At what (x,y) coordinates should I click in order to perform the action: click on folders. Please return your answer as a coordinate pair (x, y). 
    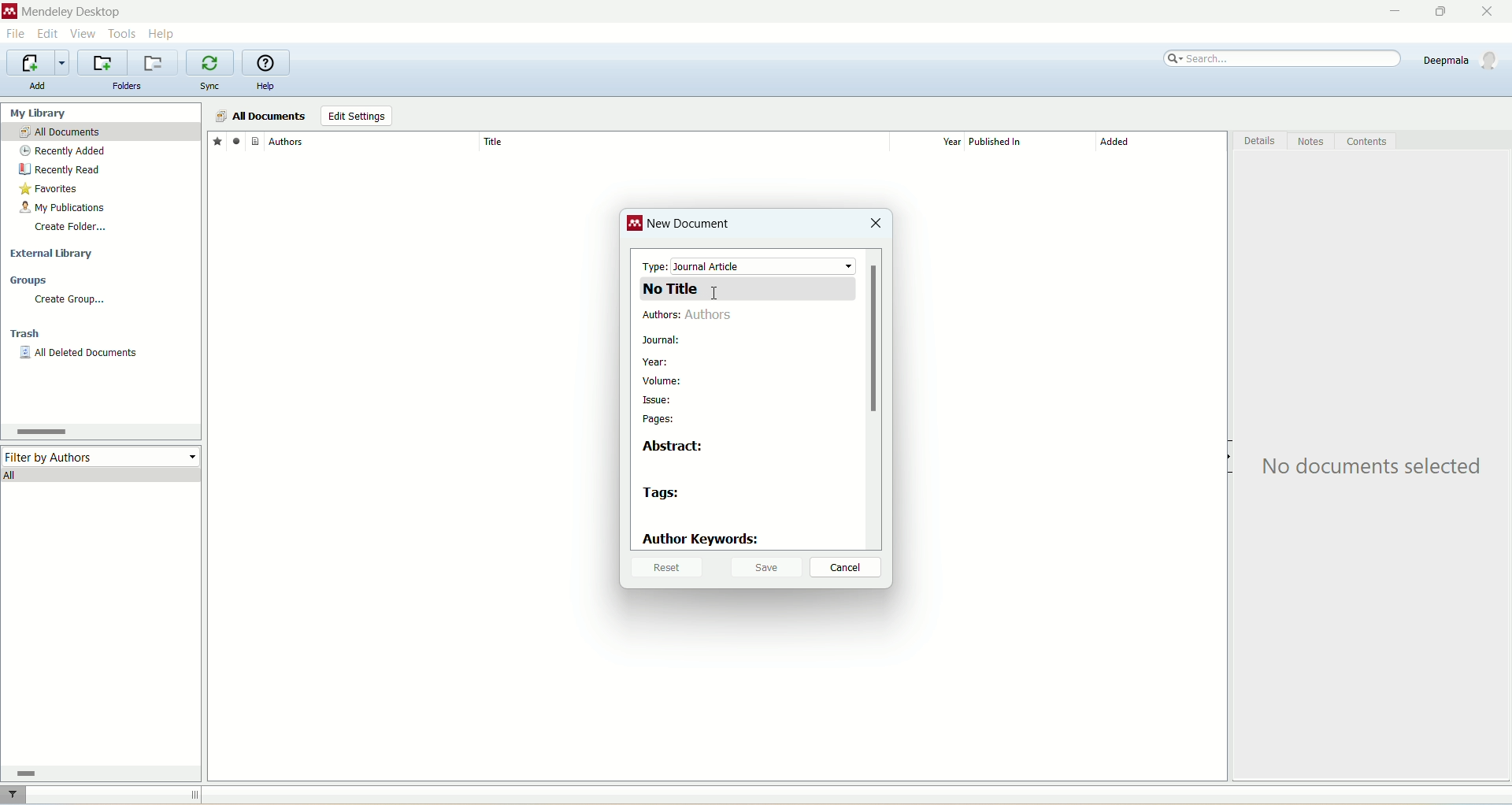
    Looking at the image, I should click on (128, 87).